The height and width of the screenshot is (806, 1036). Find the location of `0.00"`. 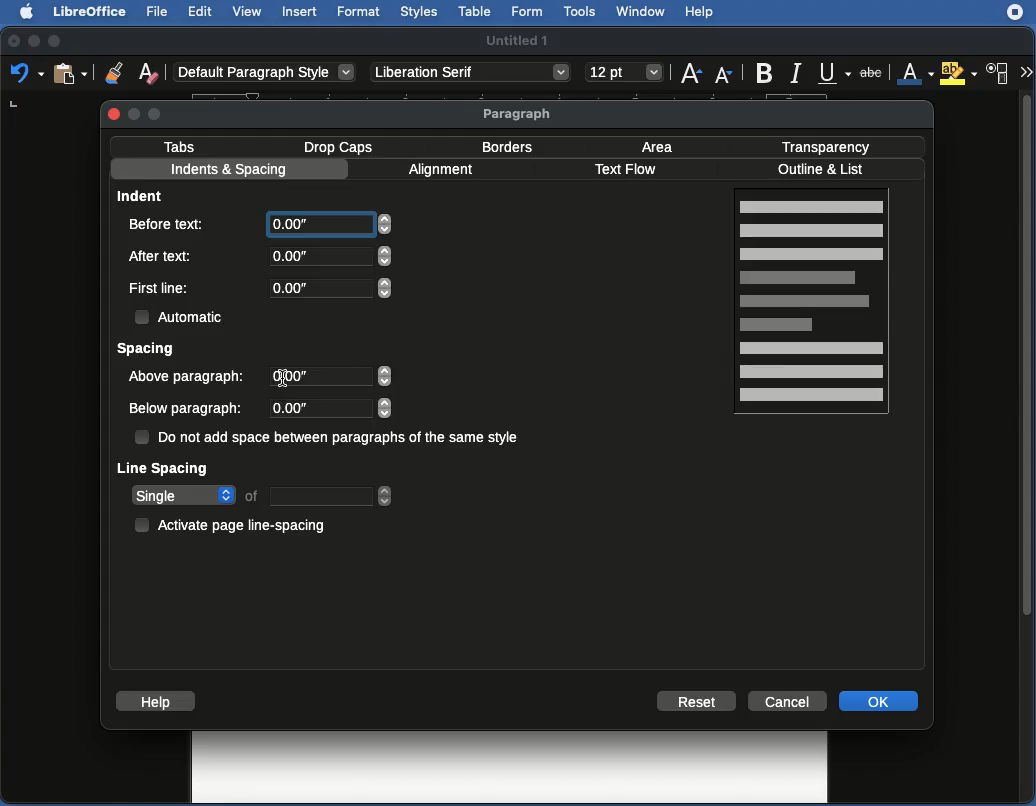

0.00" is located at coordinates (330, 377).